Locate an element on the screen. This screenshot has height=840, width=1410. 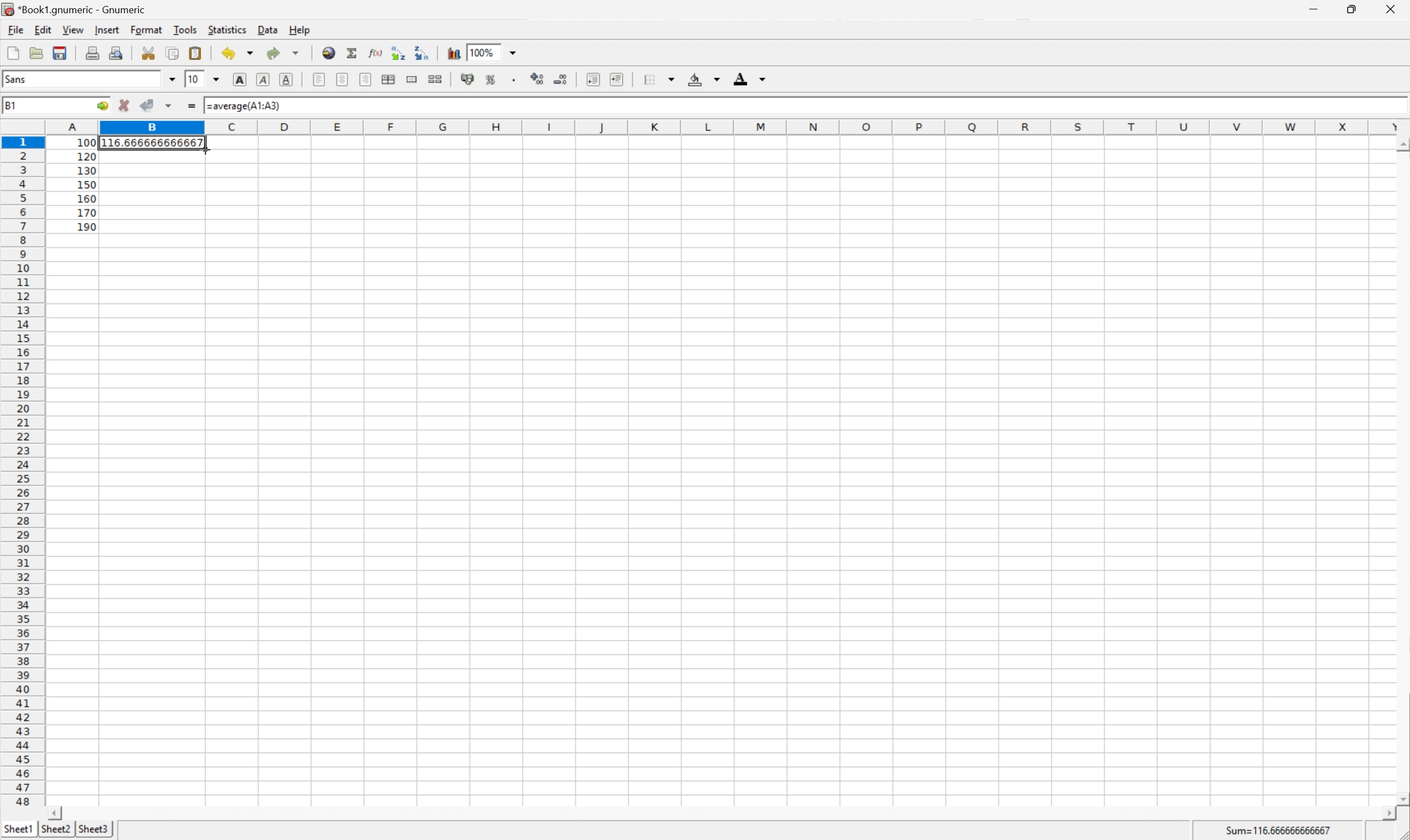
Insert hyperlink is located at coordinates (327, 53).